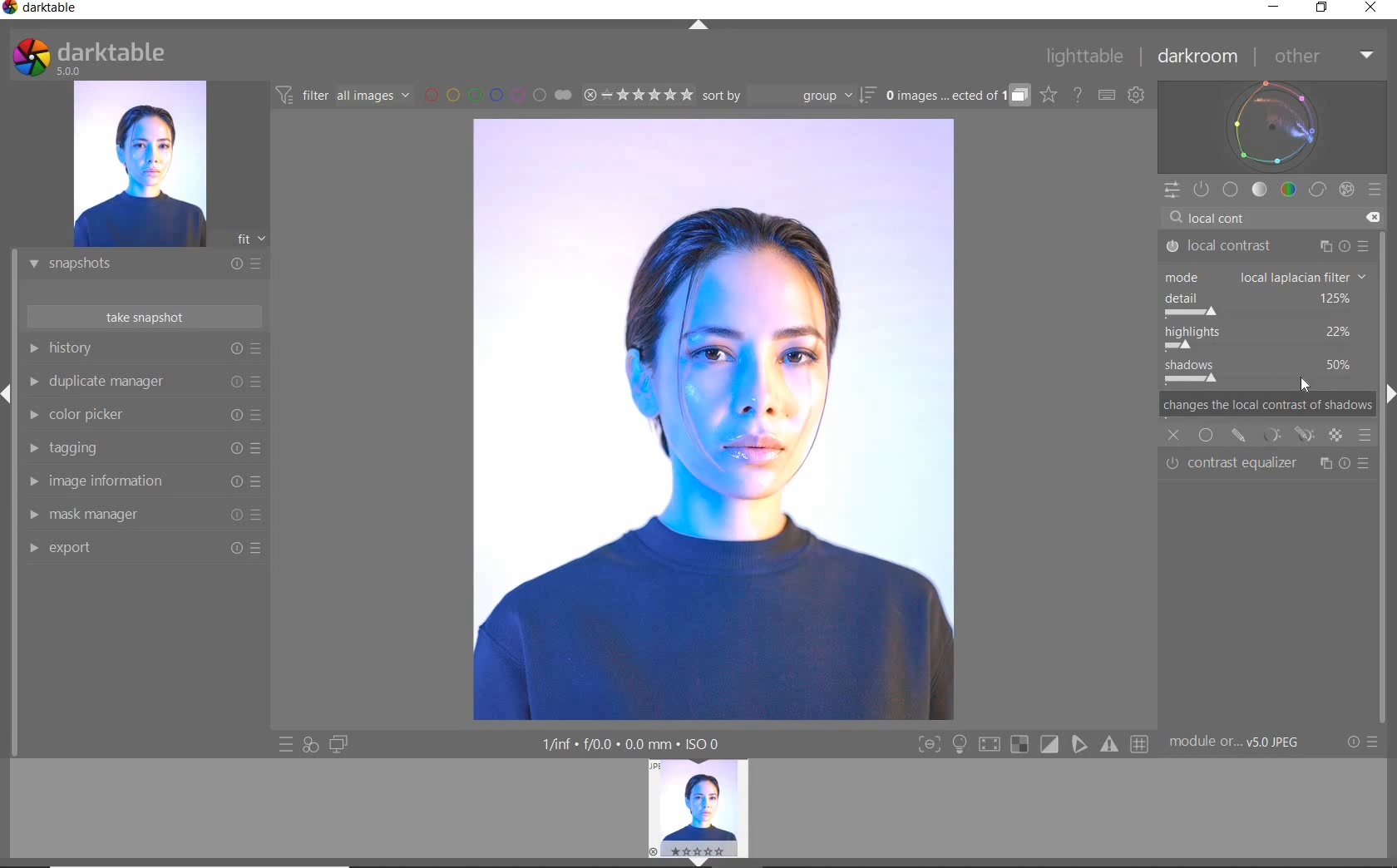 The width and height of the screenshot is (1397, 868). Describe the element at coordinates (989, 747) in the screenshot. I see `Button` at that location.